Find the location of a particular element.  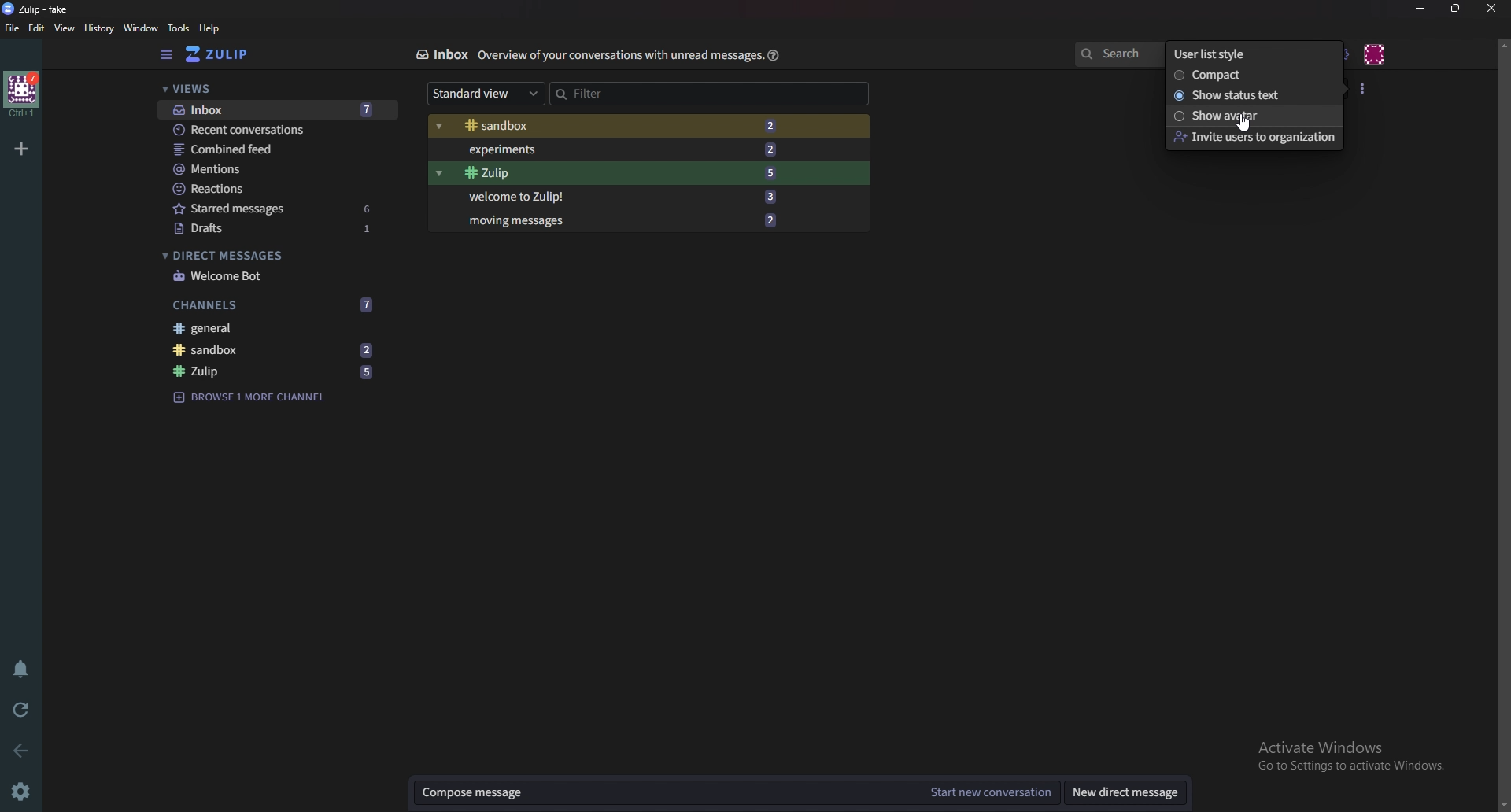

Add organization is located at coordinates (22, 149).